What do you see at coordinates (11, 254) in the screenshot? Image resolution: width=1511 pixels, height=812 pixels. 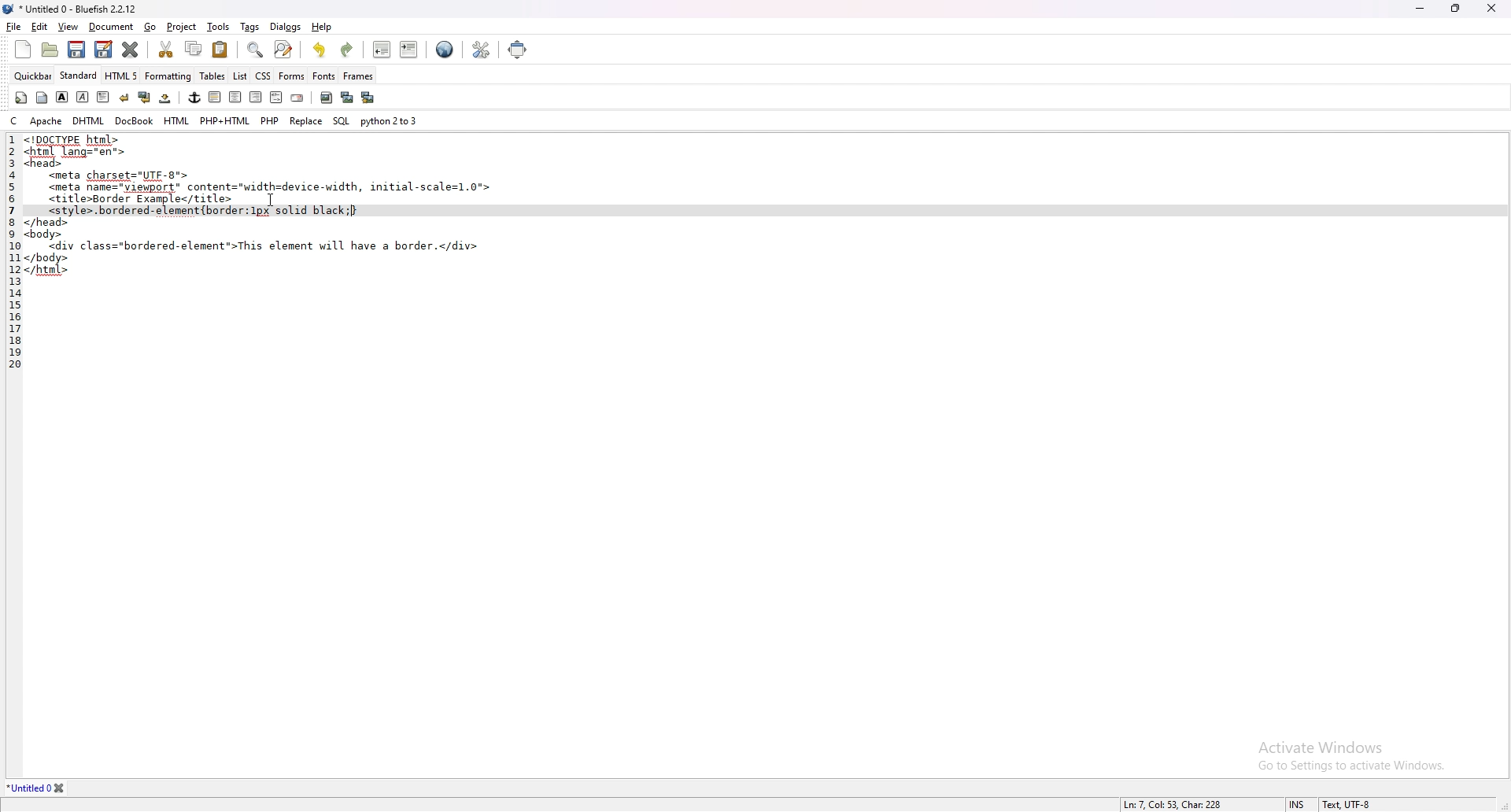 I see `1 2 3 4 5 6 7 8 9 10 11 12 13 14 15 16 17 18 19 20` at bounding box center [11, 254].